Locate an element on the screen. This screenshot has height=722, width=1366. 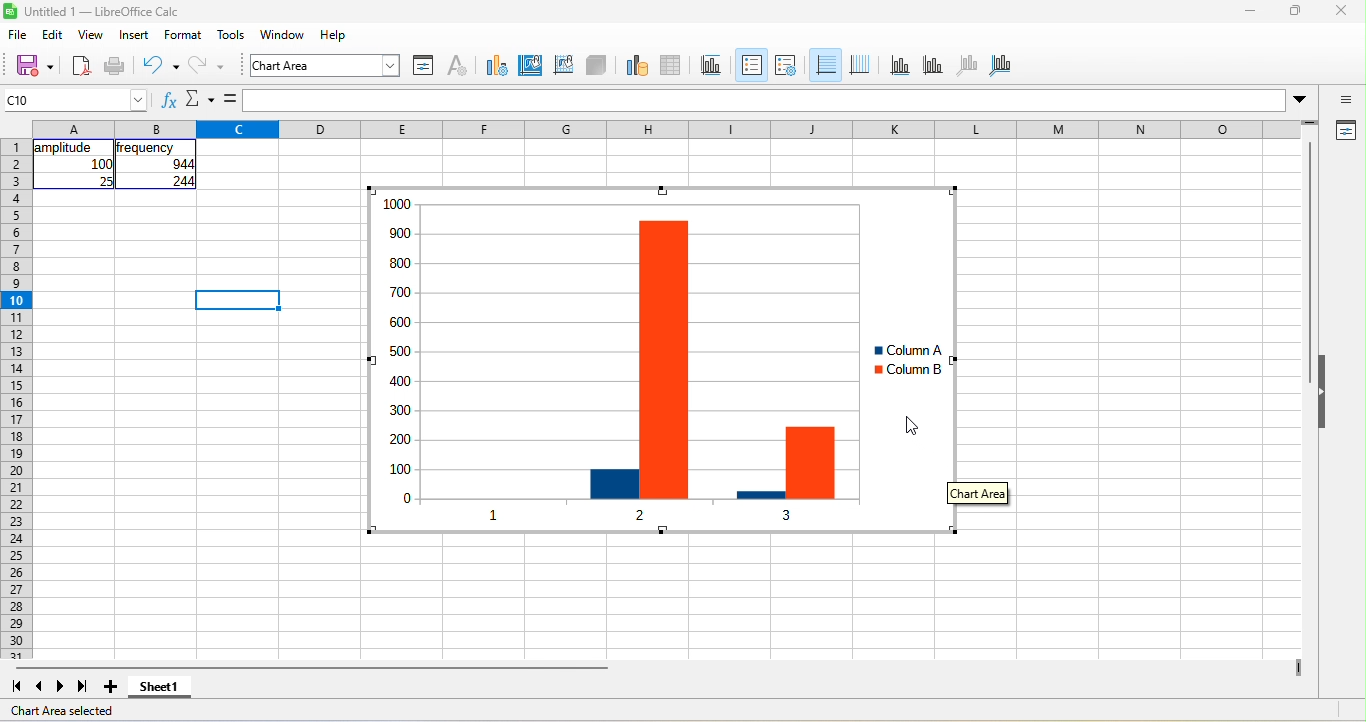
244 is located at coordinates (183, 181).